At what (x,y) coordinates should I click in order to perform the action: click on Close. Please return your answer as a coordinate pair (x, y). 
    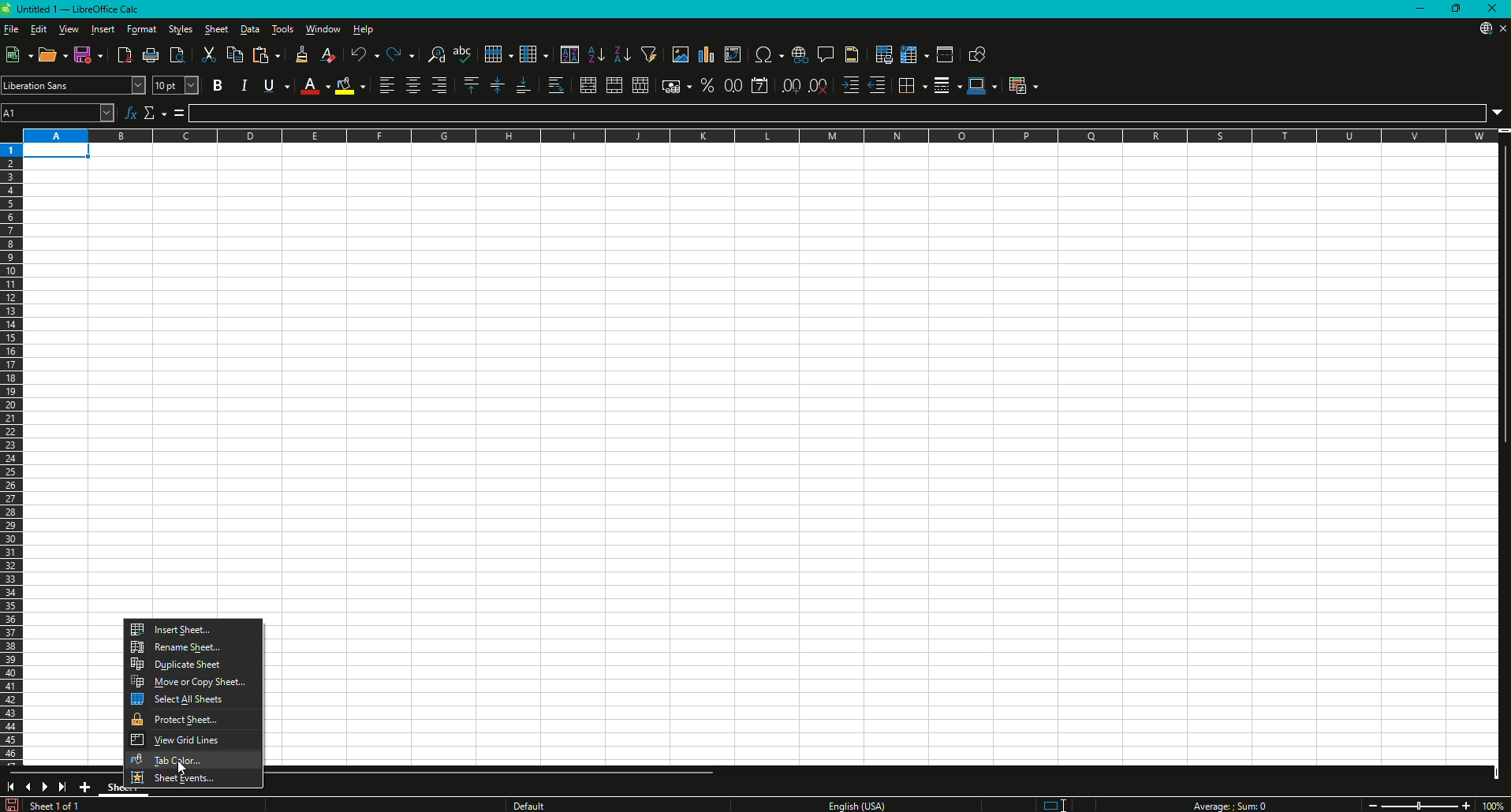
    Looking at the image, I should click on (1492, 8).